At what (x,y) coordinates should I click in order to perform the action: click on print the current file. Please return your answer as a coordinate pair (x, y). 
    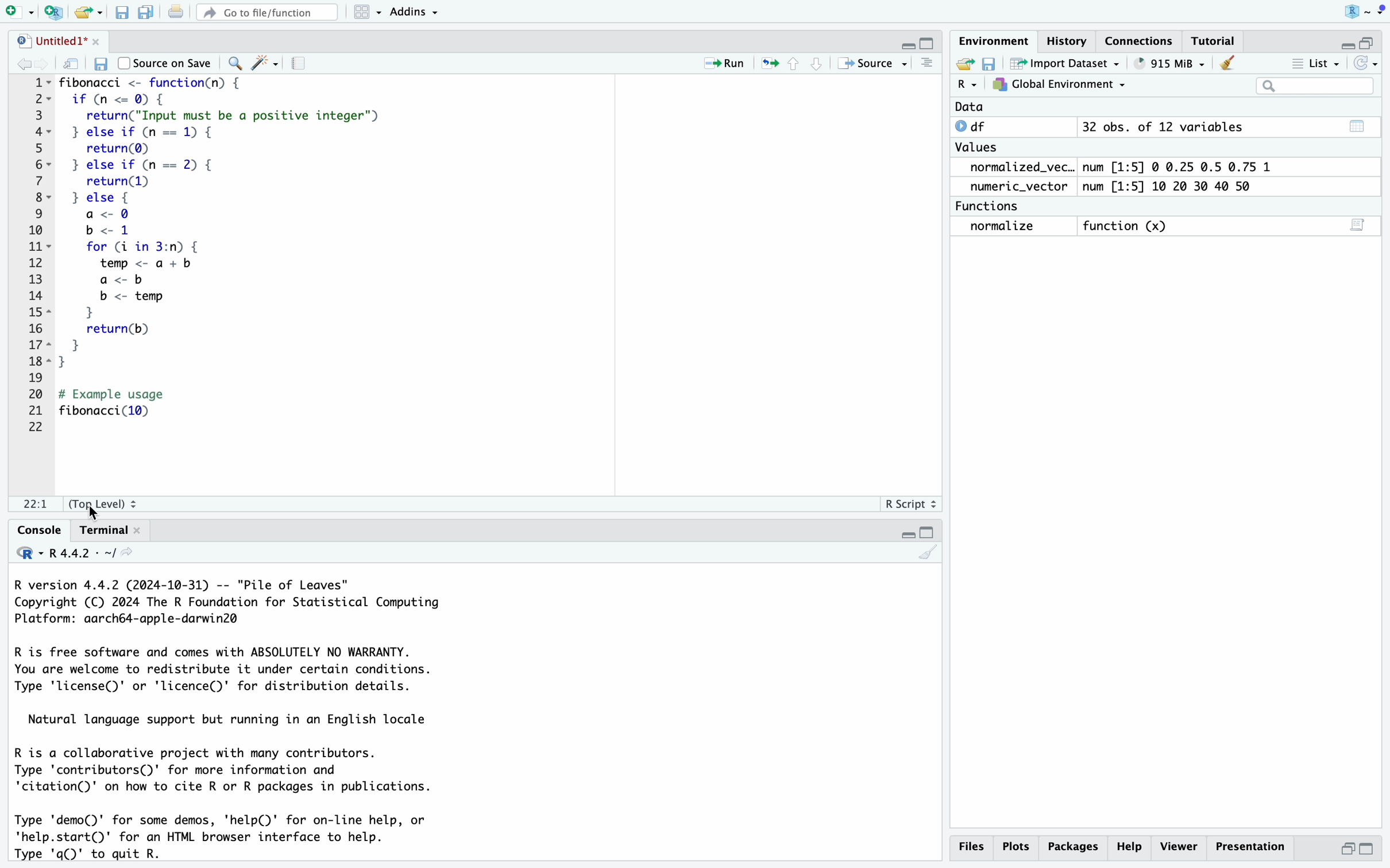
    Looking at the image, I should click on (177, 10).